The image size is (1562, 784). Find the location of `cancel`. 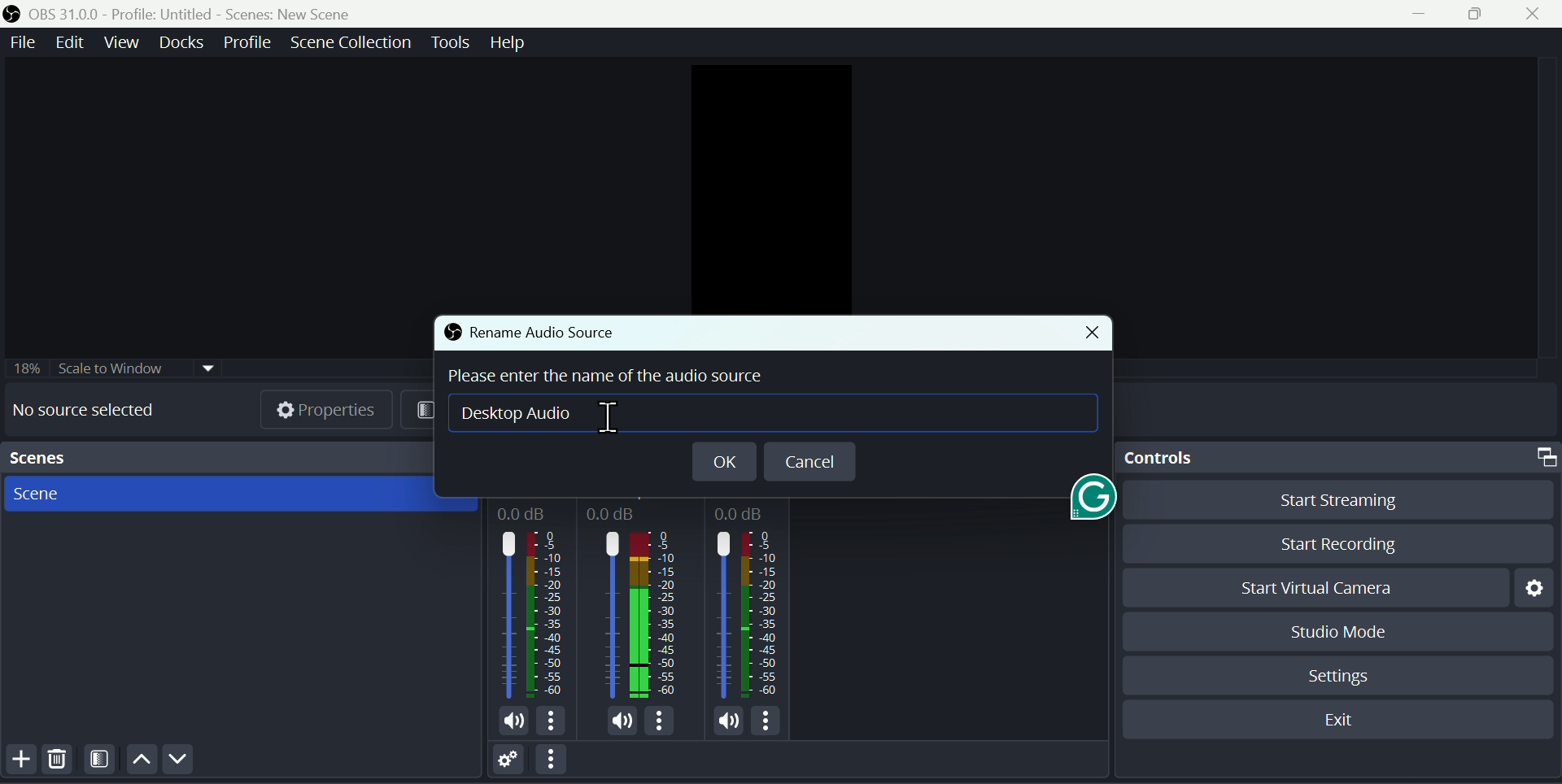

cancel is located at coordinates (808, 460).